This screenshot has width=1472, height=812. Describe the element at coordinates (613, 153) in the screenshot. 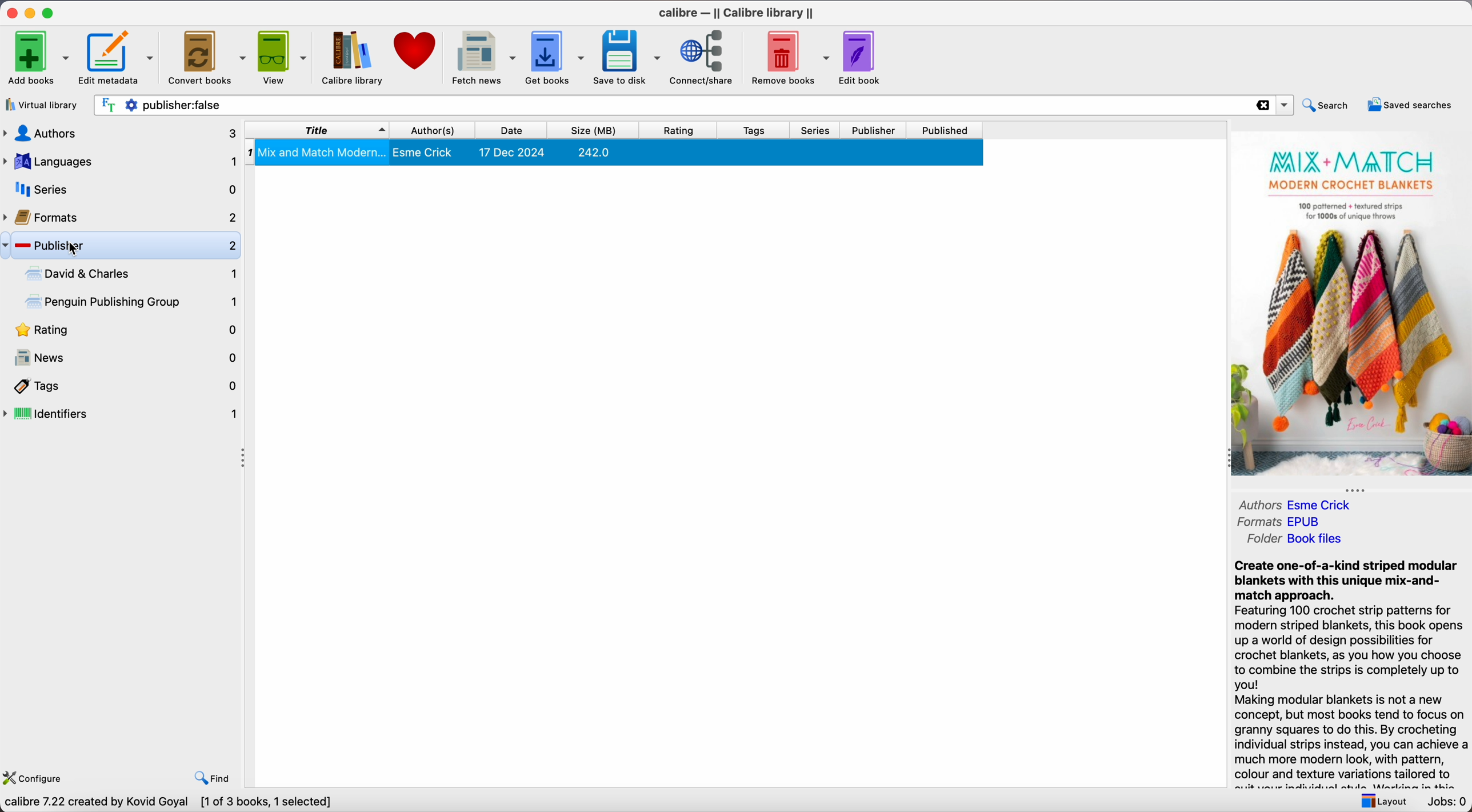

I see `Mix and Match Modern...` at that location.